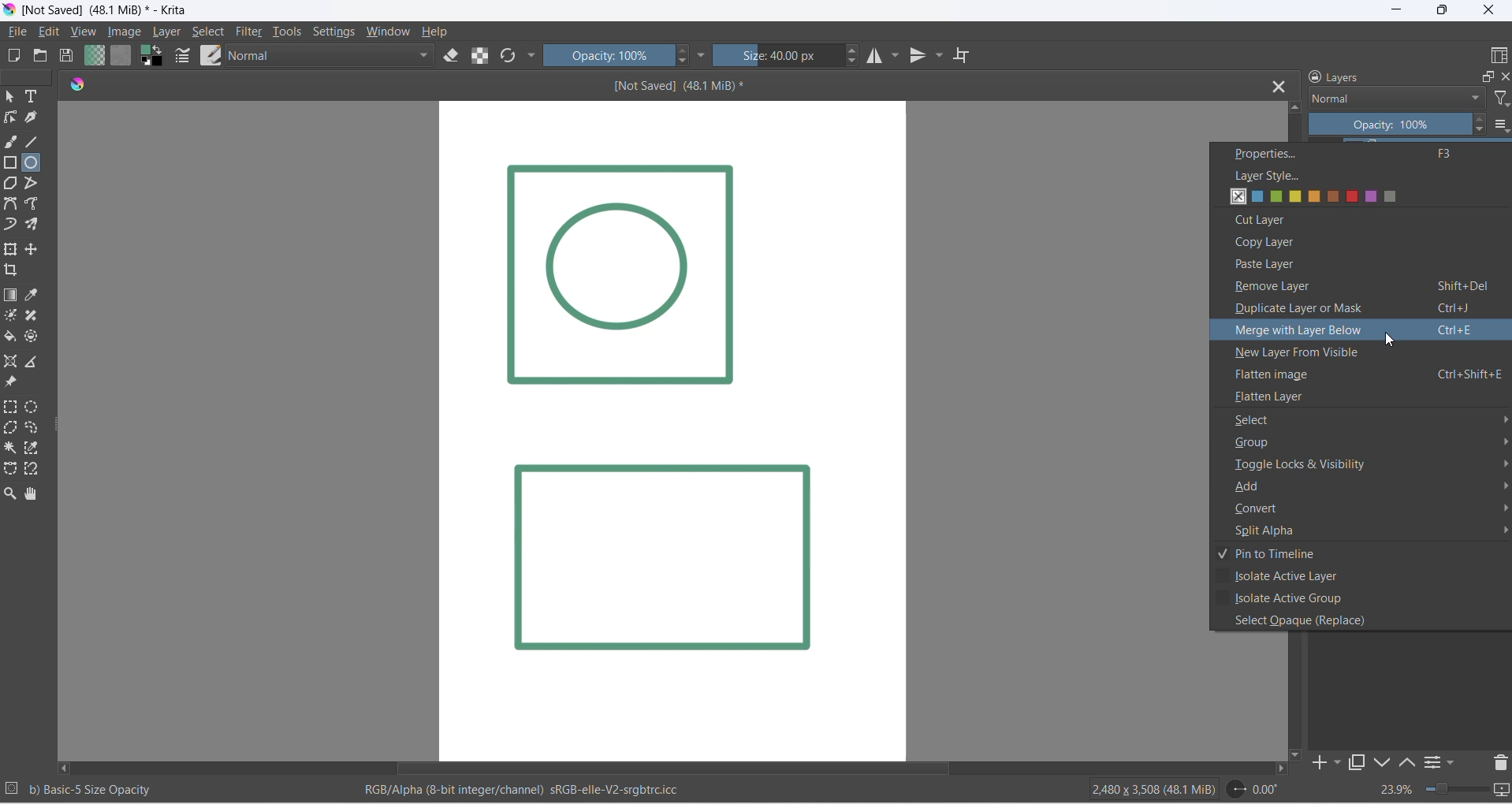 The height and width of the screenshot is (804, 1512). What do you see at coordinates (1353, 620) in the screenshot?
I see `select opaque` at bounding box center [1353, 620].